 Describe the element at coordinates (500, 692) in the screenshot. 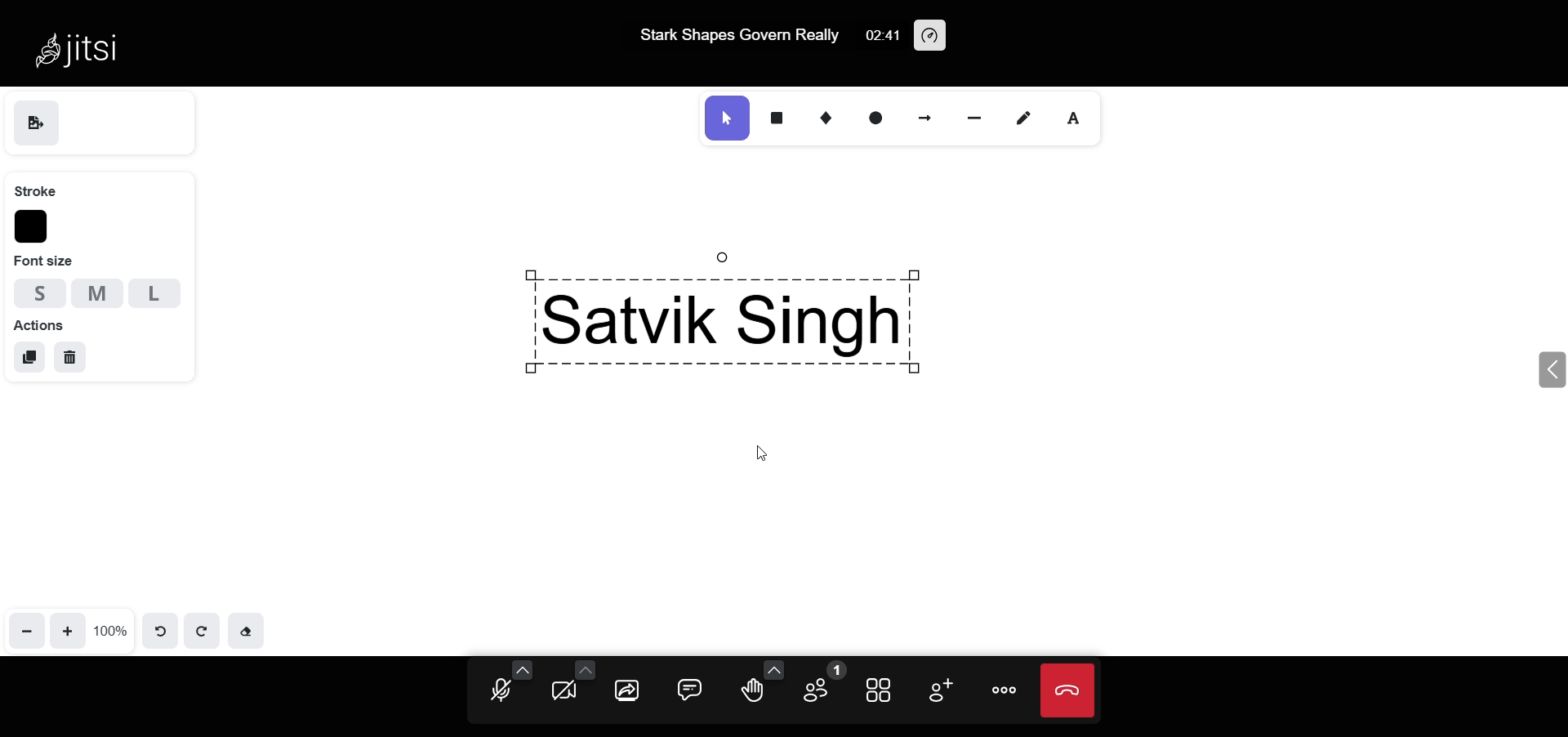

I see `microphone` at that location.